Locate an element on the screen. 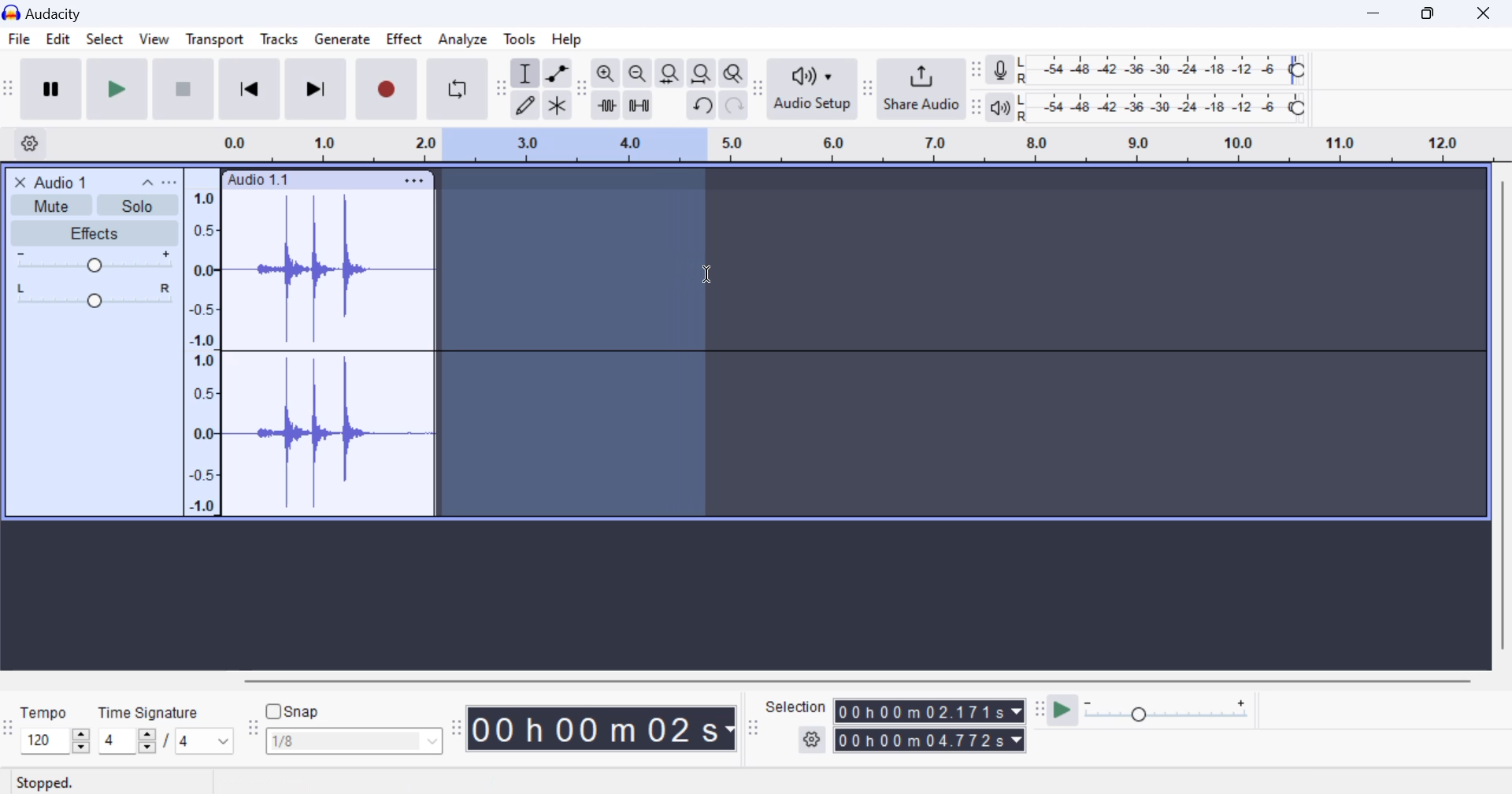 The image size is (1512, 794). Edit is located at coordinates (57, 42).